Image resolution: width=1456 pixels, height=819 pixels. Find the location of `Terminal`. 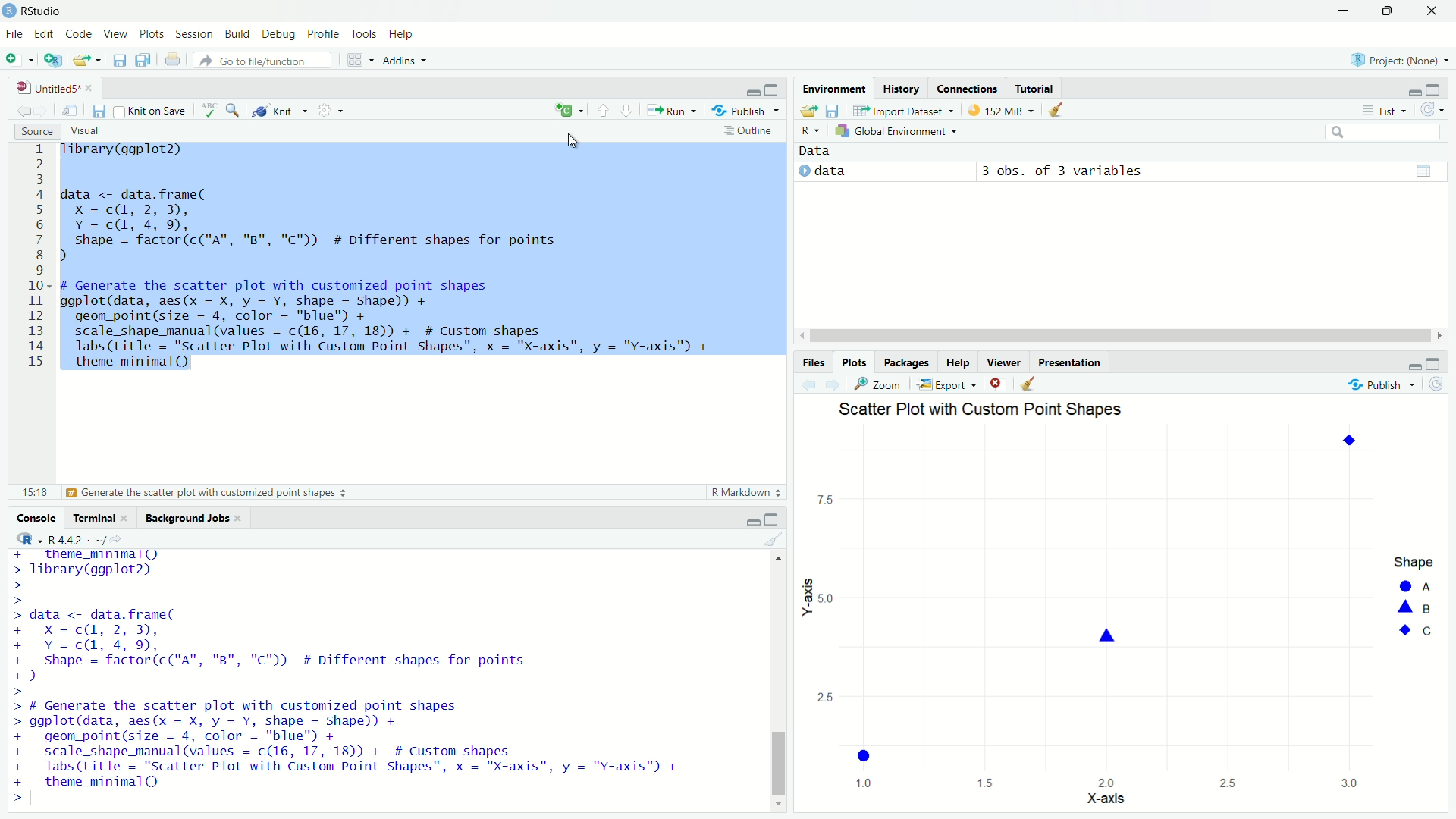

Terminal is located at coordinates (91, 518).